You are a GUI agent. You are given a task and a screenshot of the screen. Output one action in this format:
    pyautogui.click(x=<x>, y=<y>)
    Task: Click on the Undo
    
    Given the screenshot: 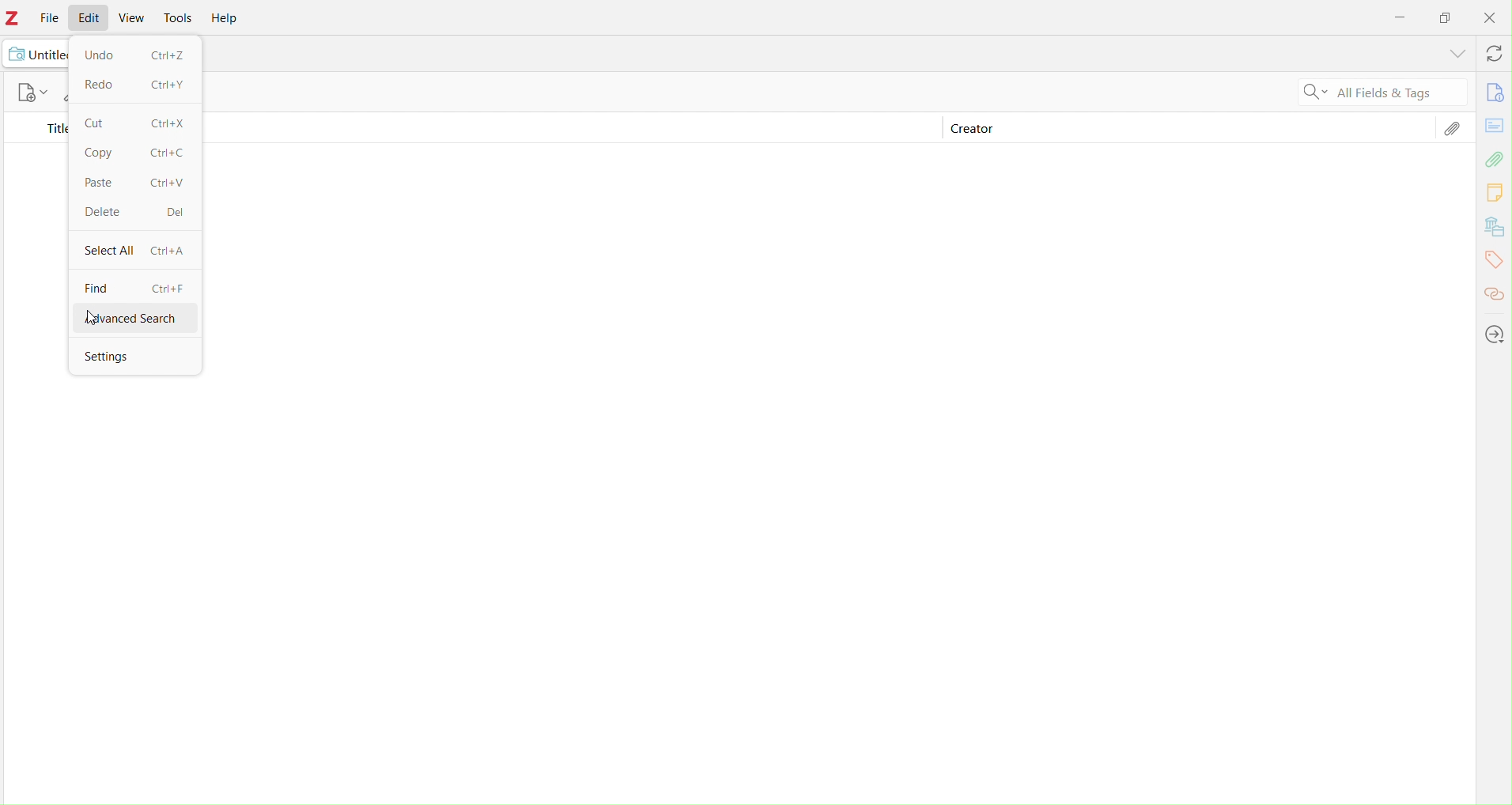 What is the action you would take?
    pyautogui.click(x=132, y=55)
    